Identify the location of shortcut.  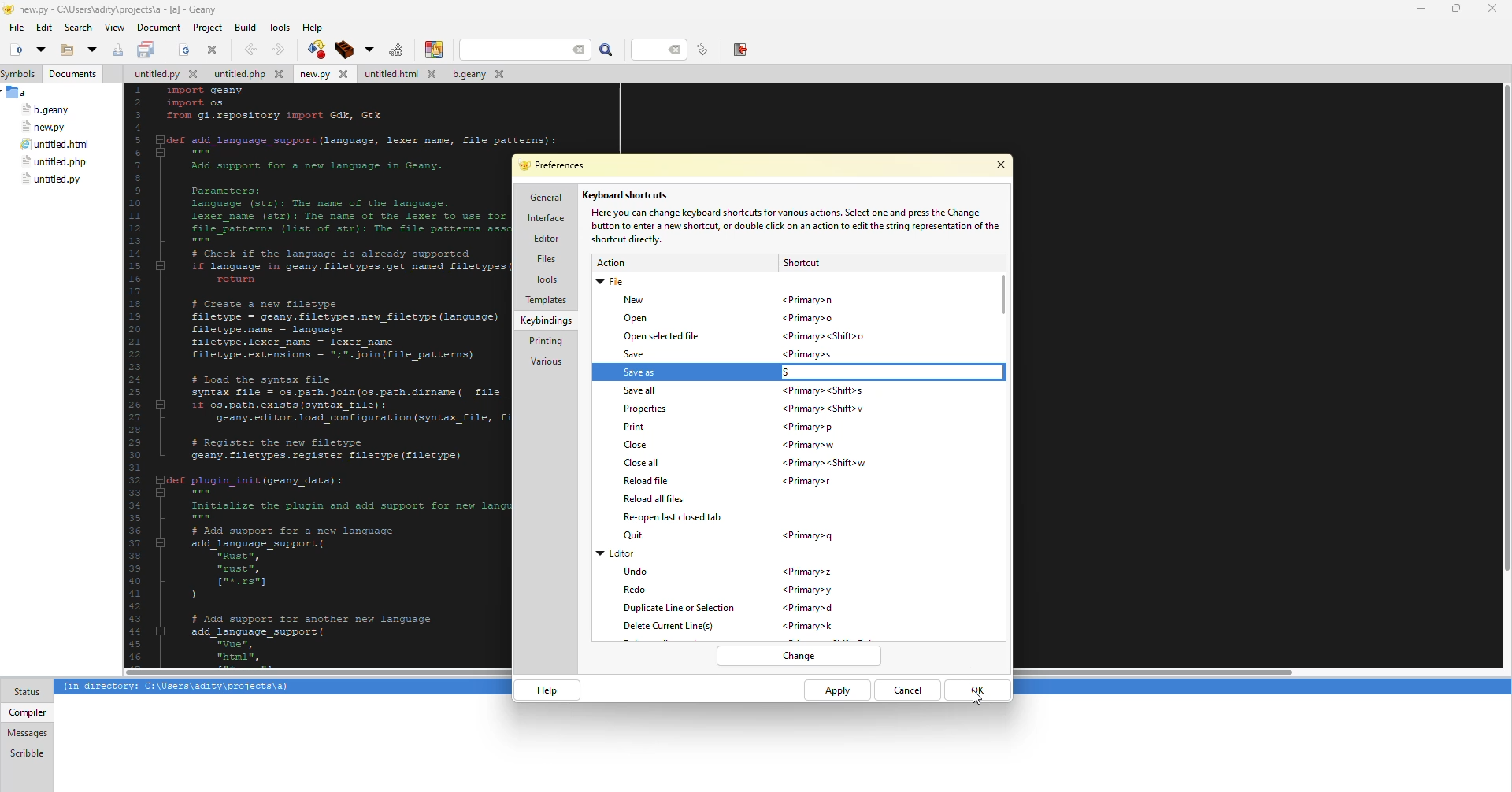
(805, 608).